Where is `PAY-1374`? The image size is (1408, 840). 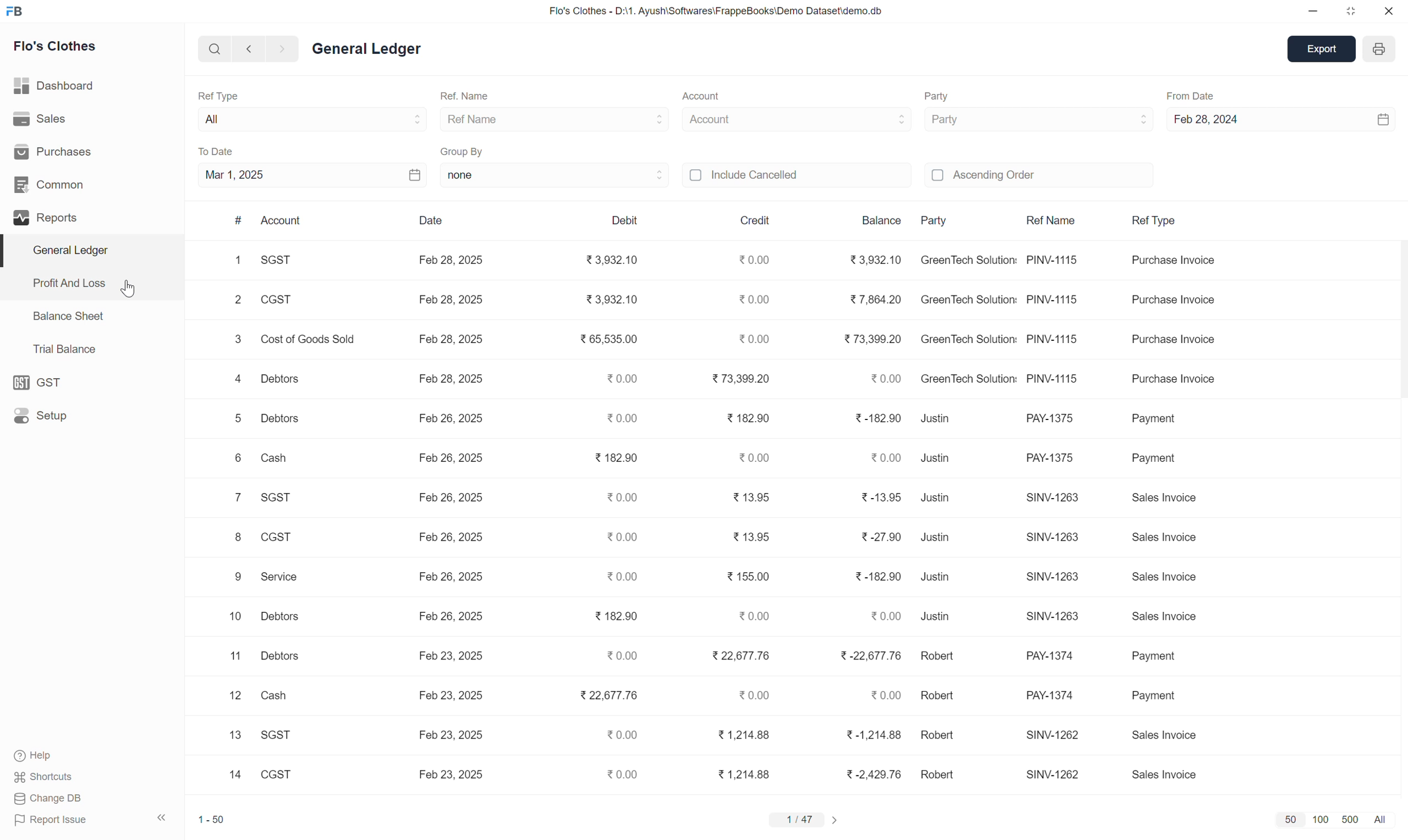
PAY-1374 is located at coordinates (1051, 697).